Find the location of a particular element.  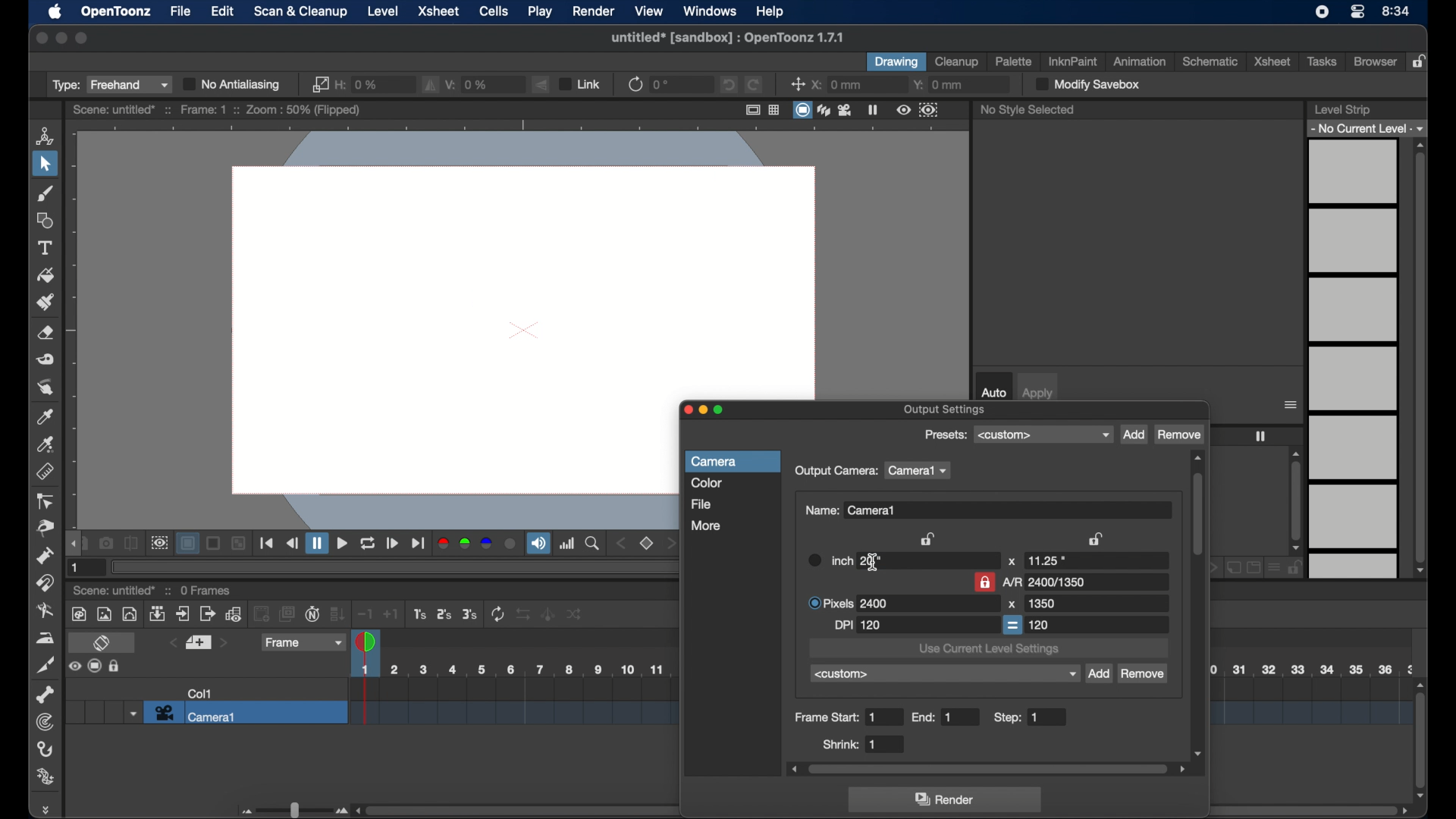

 is located at coordinates (1235, 569).